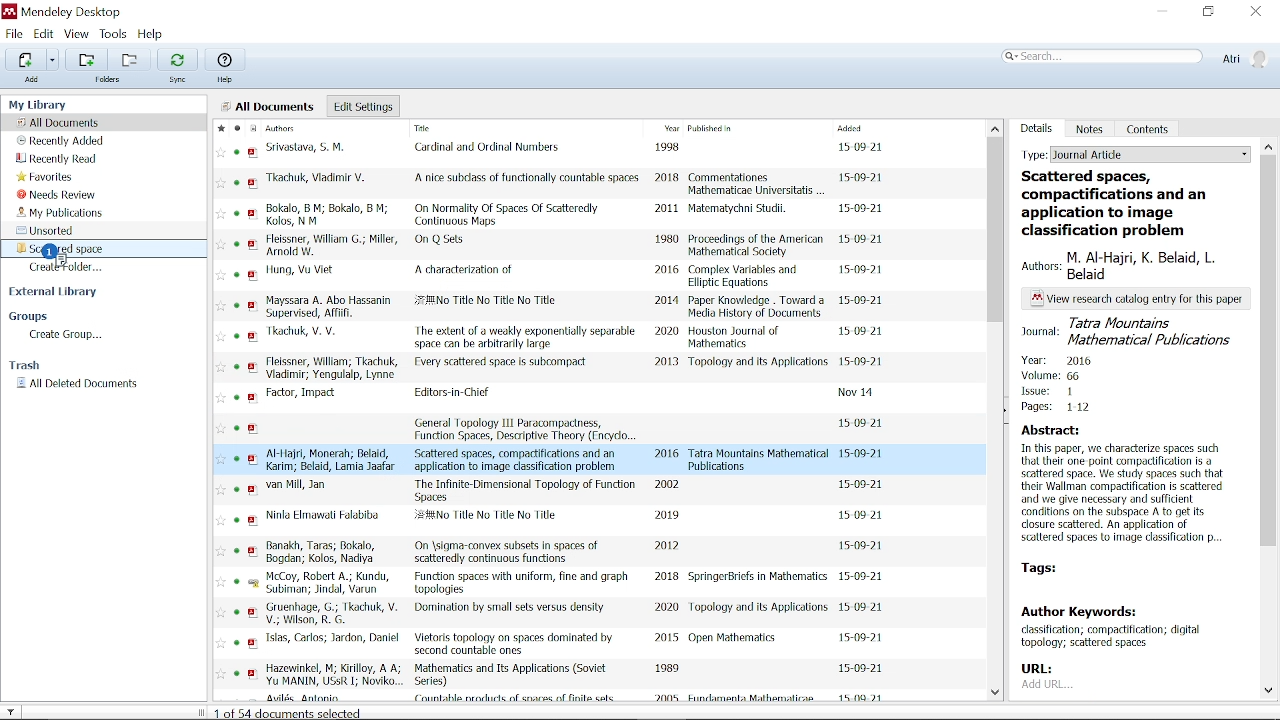 This screenshot has height=720, width=1280. I want to click on Search, so click(1102, 57).